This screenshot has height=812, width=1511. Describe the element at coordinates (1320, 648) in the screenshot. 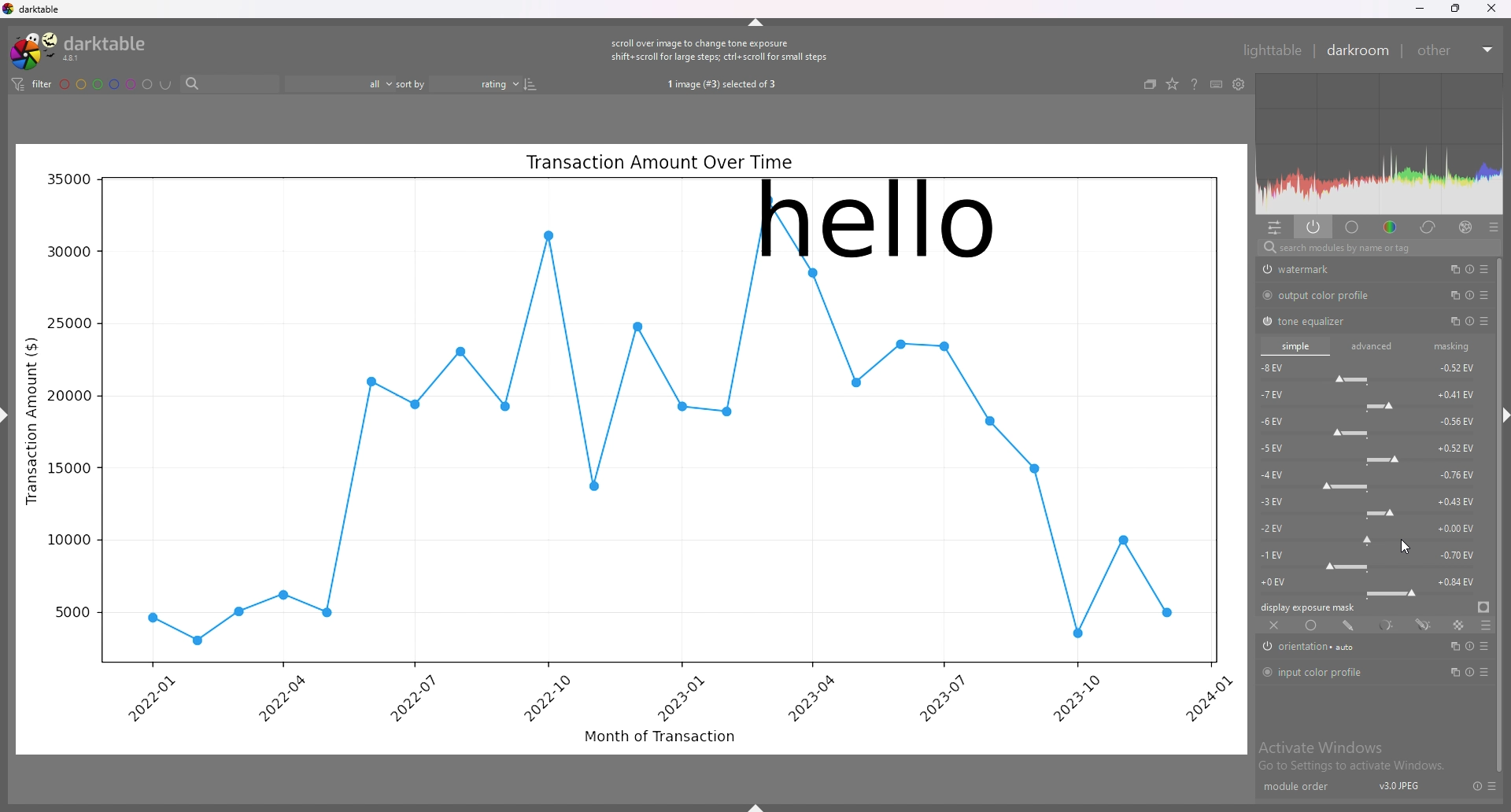

I see `orientation` at that location.